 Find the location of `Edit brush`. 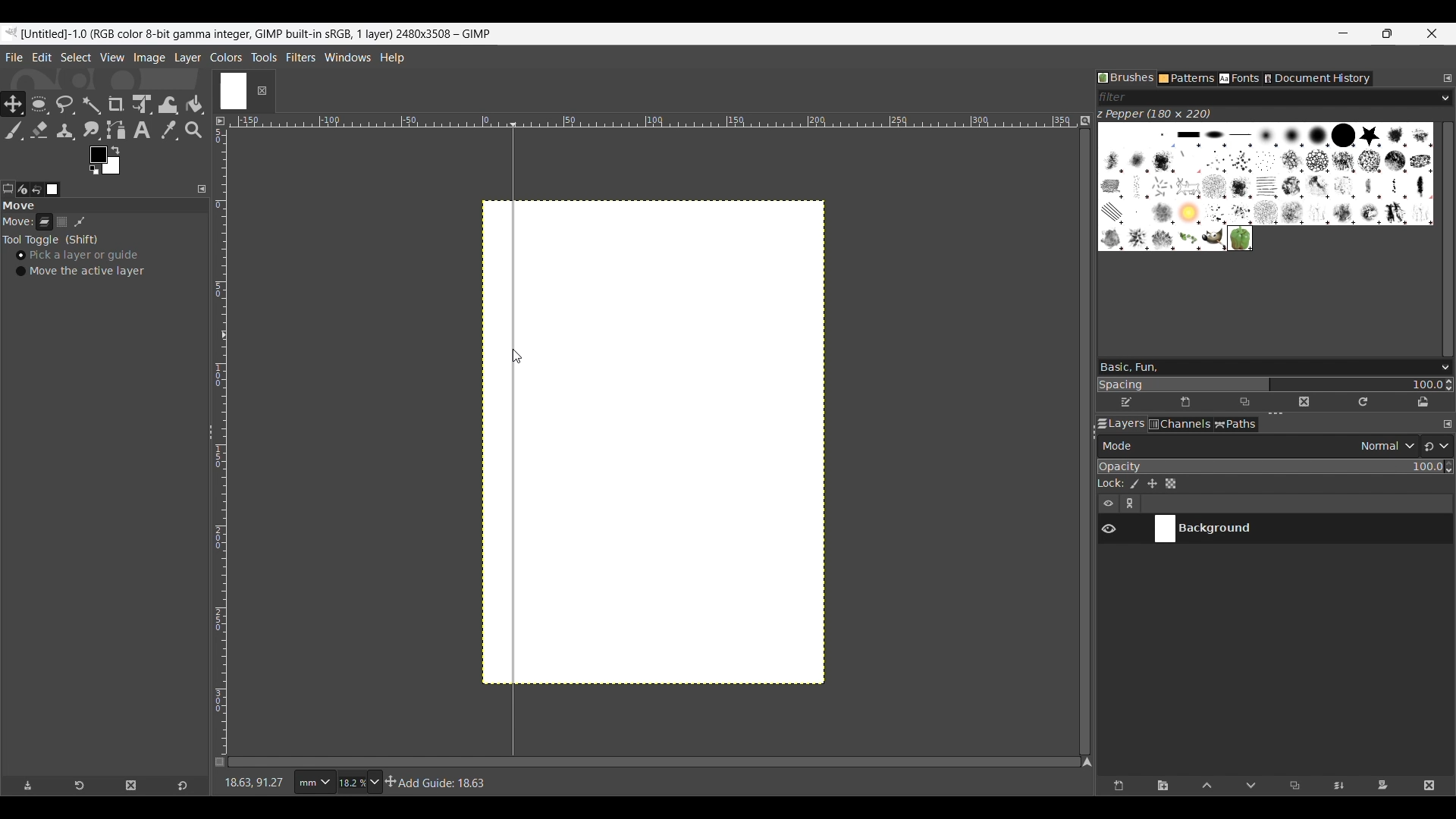

Edit brush is located at coordinates (1127, 400).